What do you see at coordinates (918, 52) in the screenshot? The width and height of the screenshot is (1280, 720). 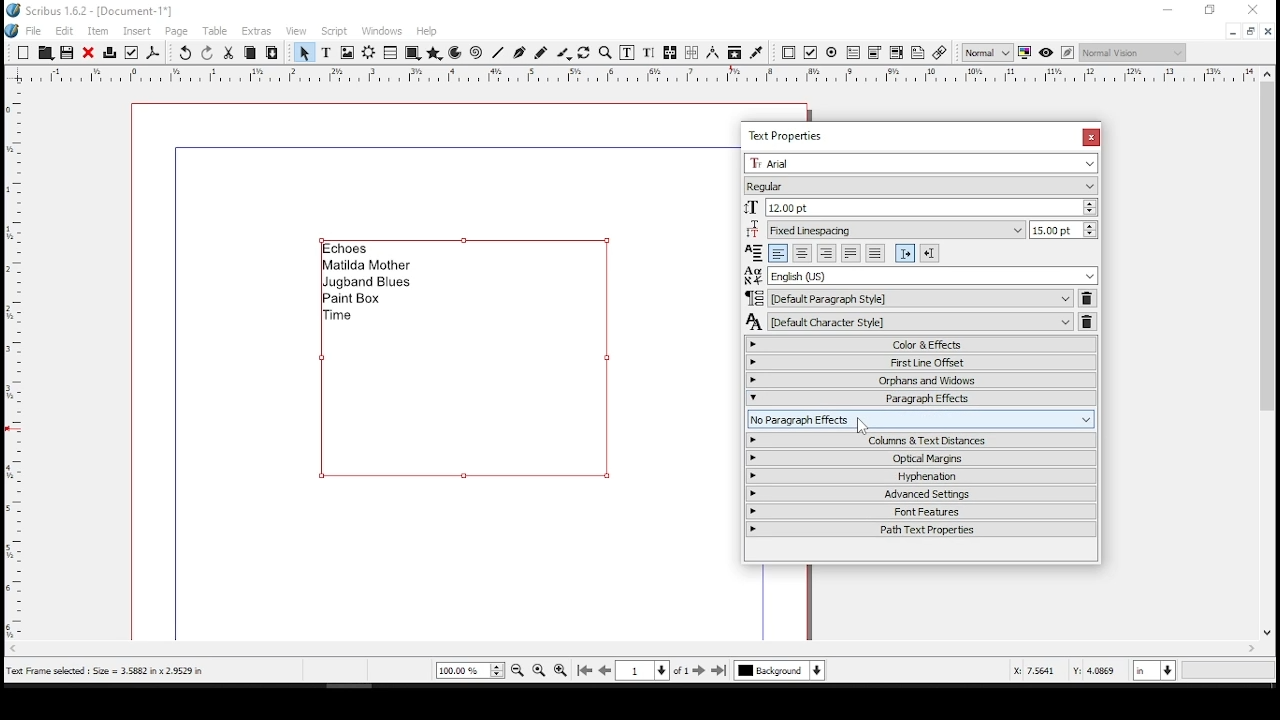 I see `text annotation` at bounding box center [918, 52].